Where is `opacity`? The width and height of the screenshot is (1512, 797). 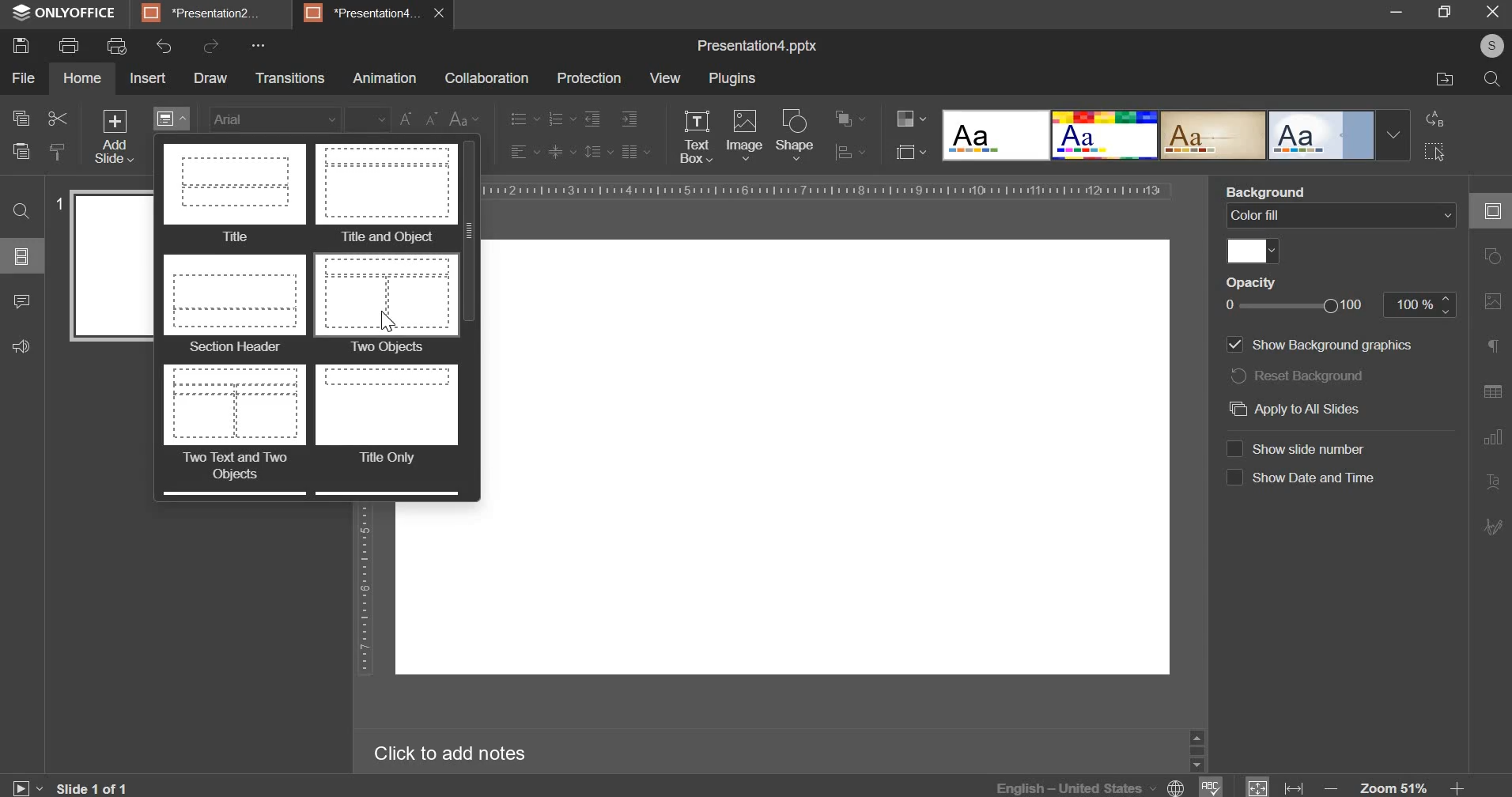 opacity is located at coordinates (1253, 284).